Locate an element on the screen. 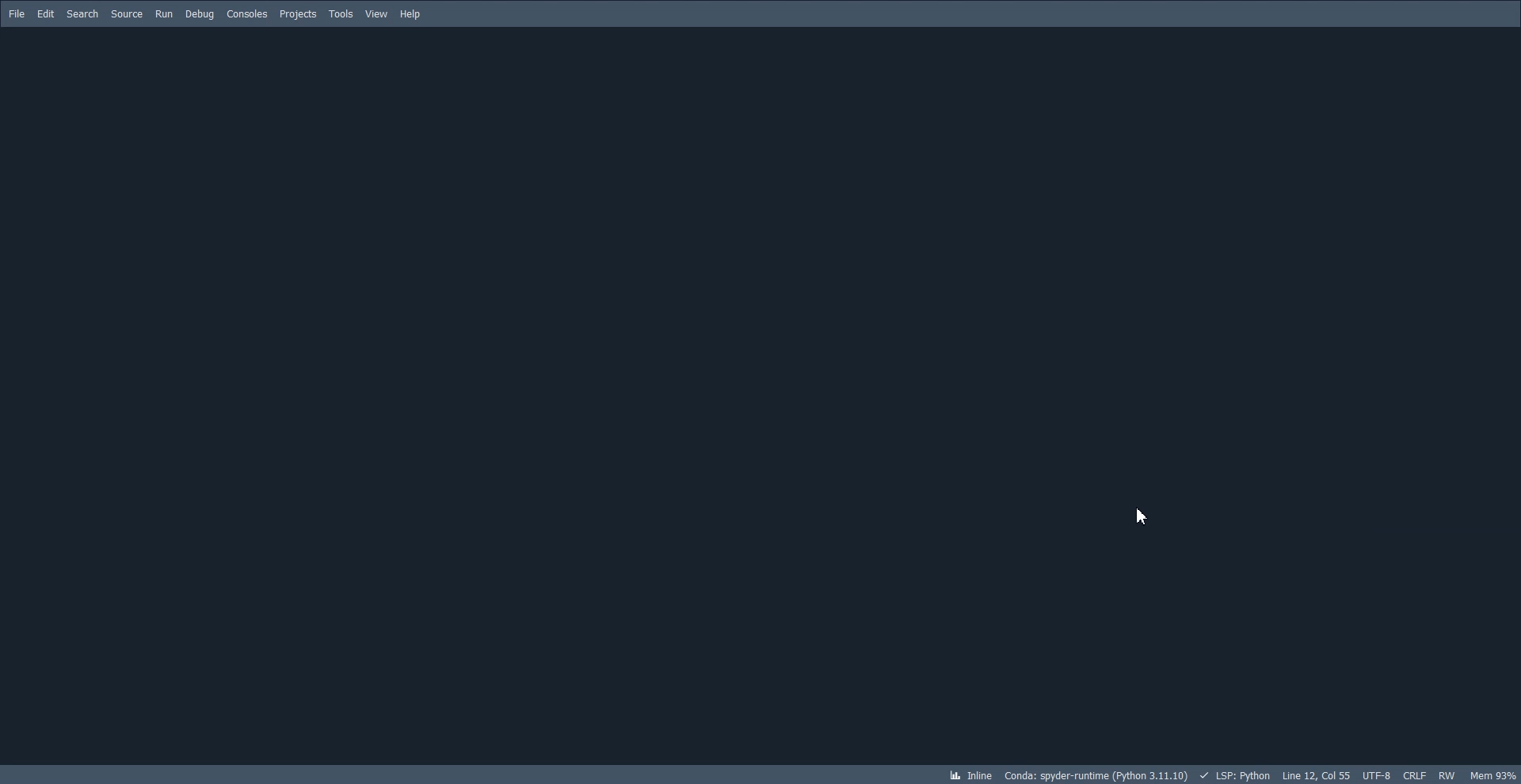  RUN is located at coordinates (164, 15).